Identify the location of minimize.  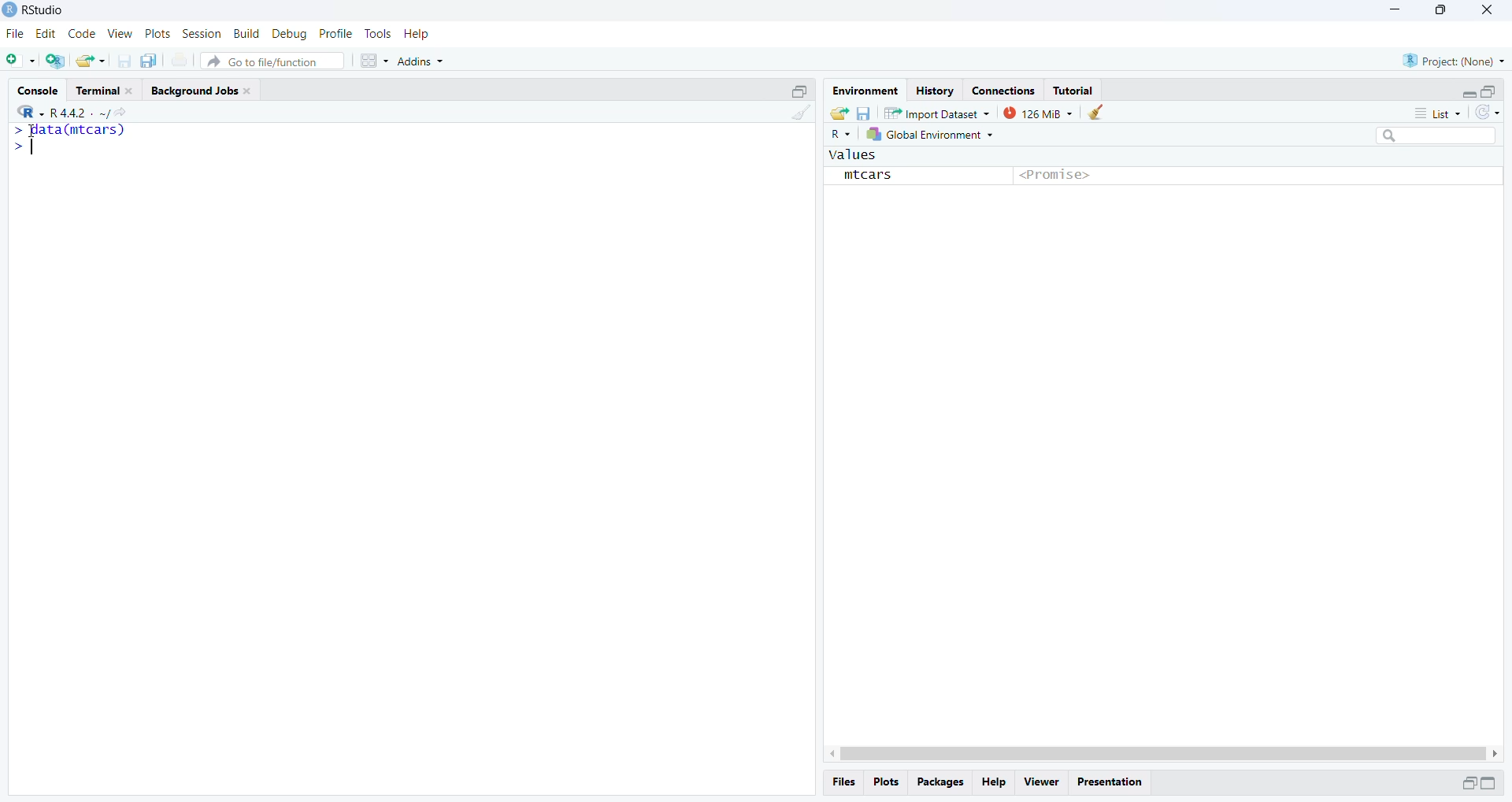
(1396, 9).